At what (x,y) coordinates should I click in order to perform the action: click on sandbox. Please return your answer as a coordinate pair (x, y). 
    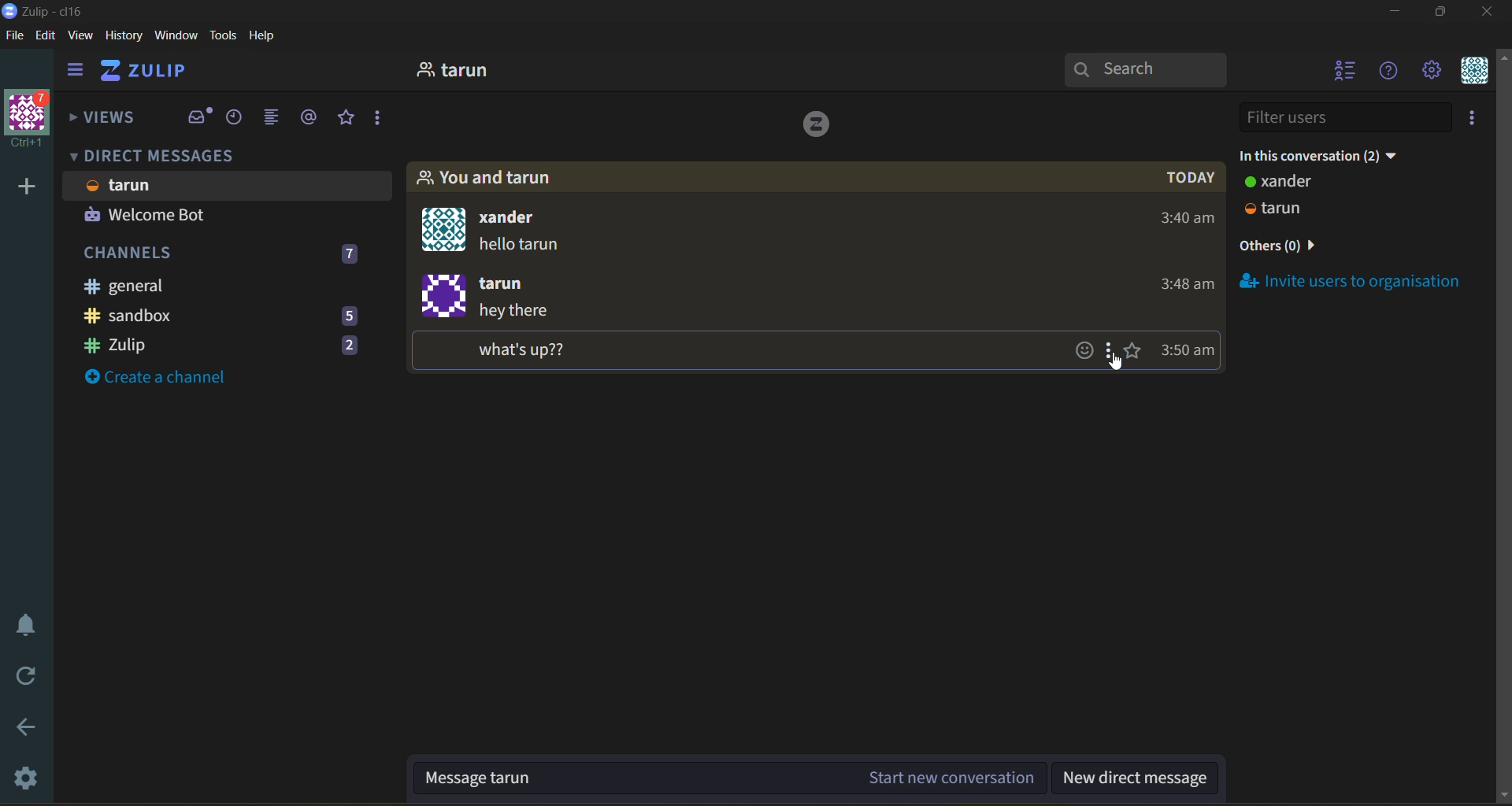
    Looking at the image, I should click on (234, 317).